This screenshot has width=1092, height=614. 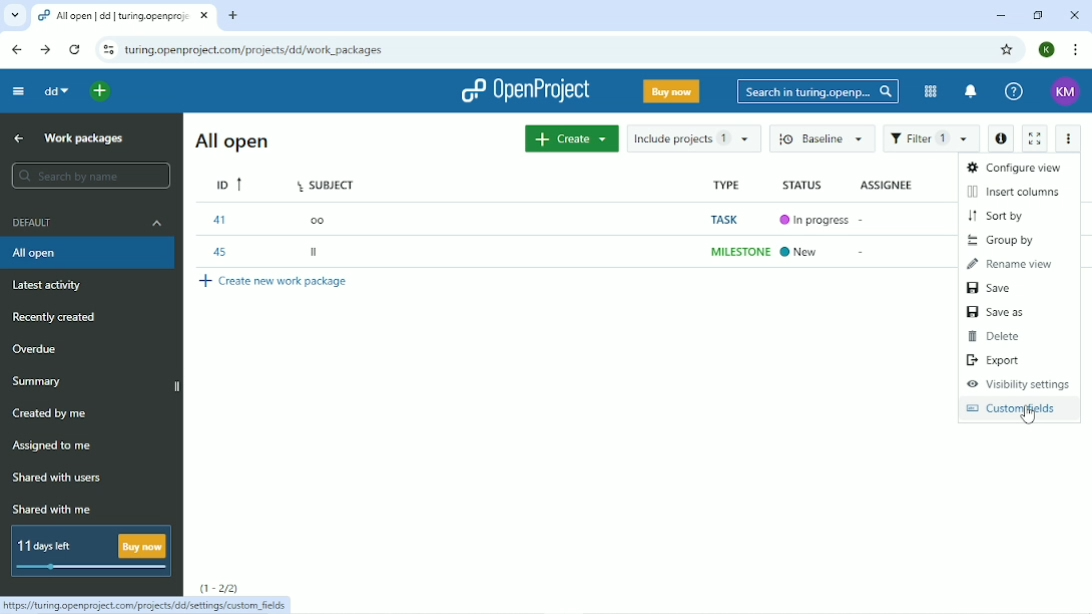 What do you see at coordinates (990, 288) in the screenshot?
I see `Save` at bounding box center [990, 288].